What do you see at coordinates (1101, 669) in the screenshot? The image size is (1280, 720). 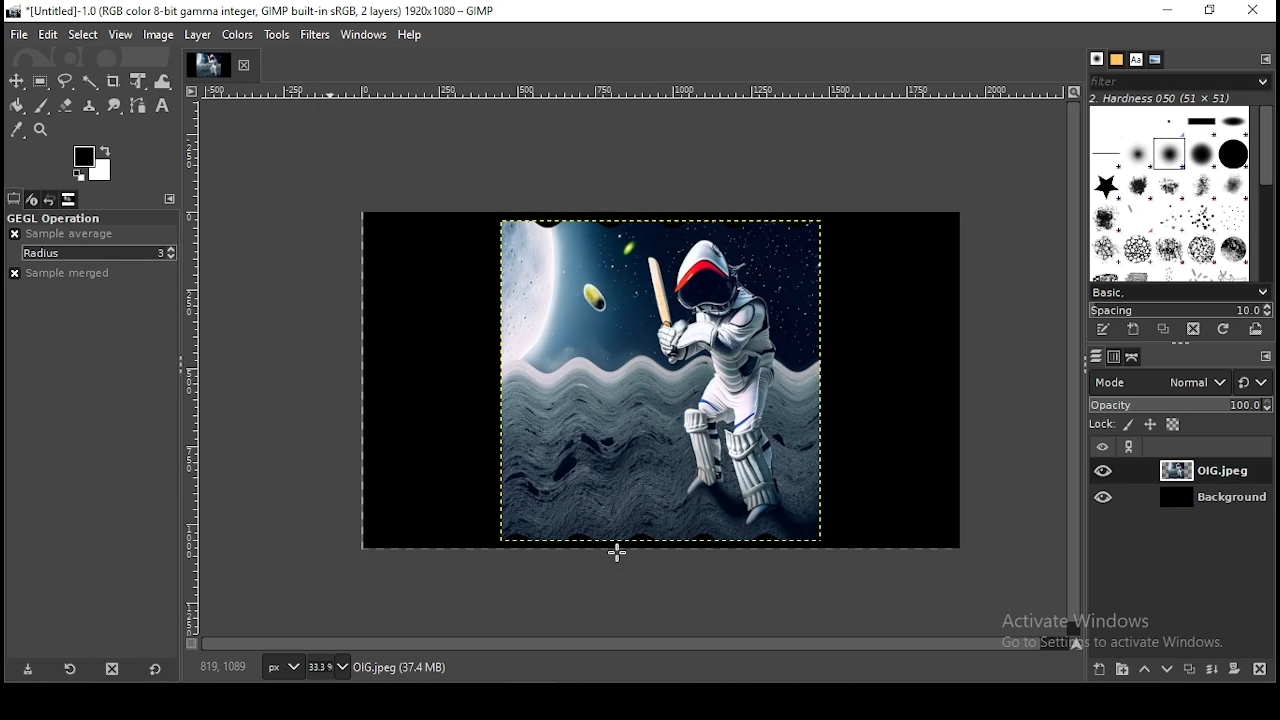 I see `create a new layer` at bounding box center [1101, 669].